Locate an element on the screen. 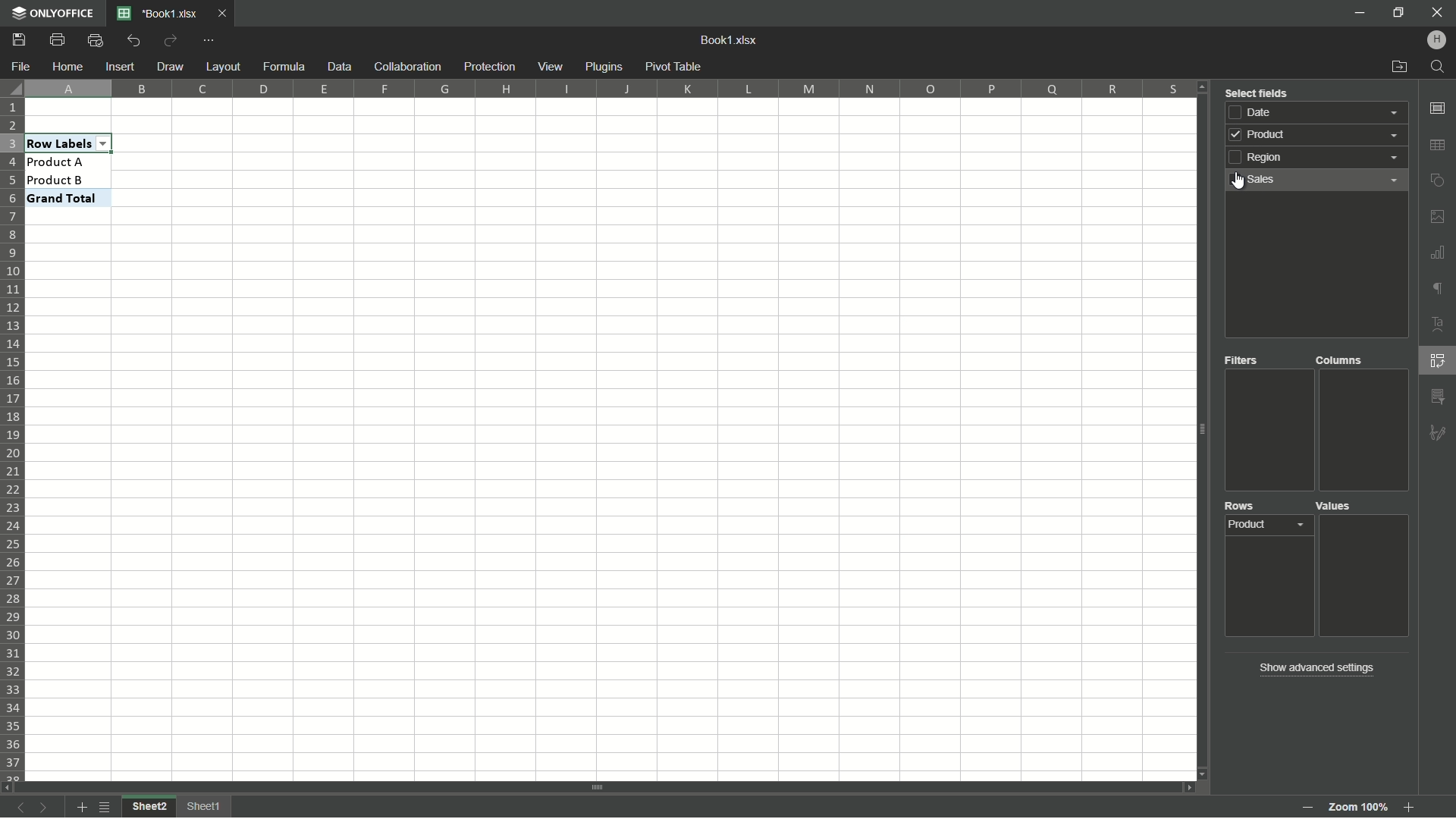  close app is located at coordinates (1437, 13).